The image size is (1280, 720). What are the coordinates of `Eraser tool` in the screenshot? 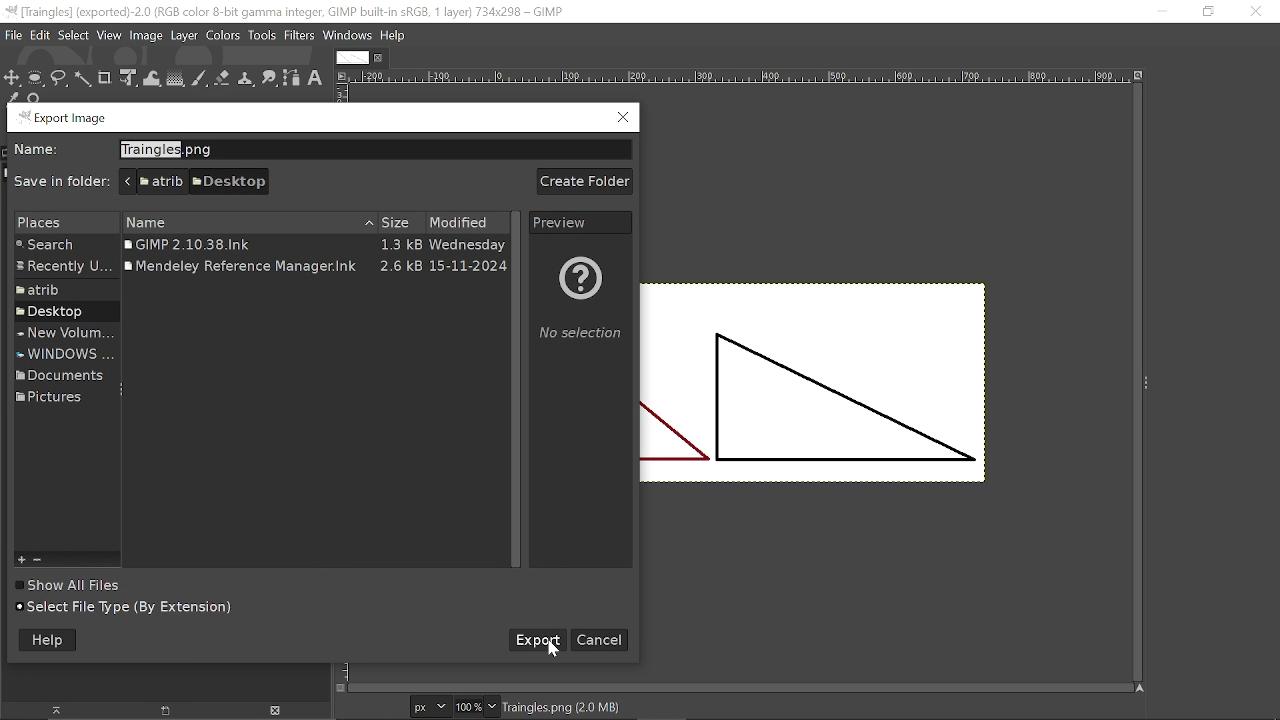 It's located at (223, 80).